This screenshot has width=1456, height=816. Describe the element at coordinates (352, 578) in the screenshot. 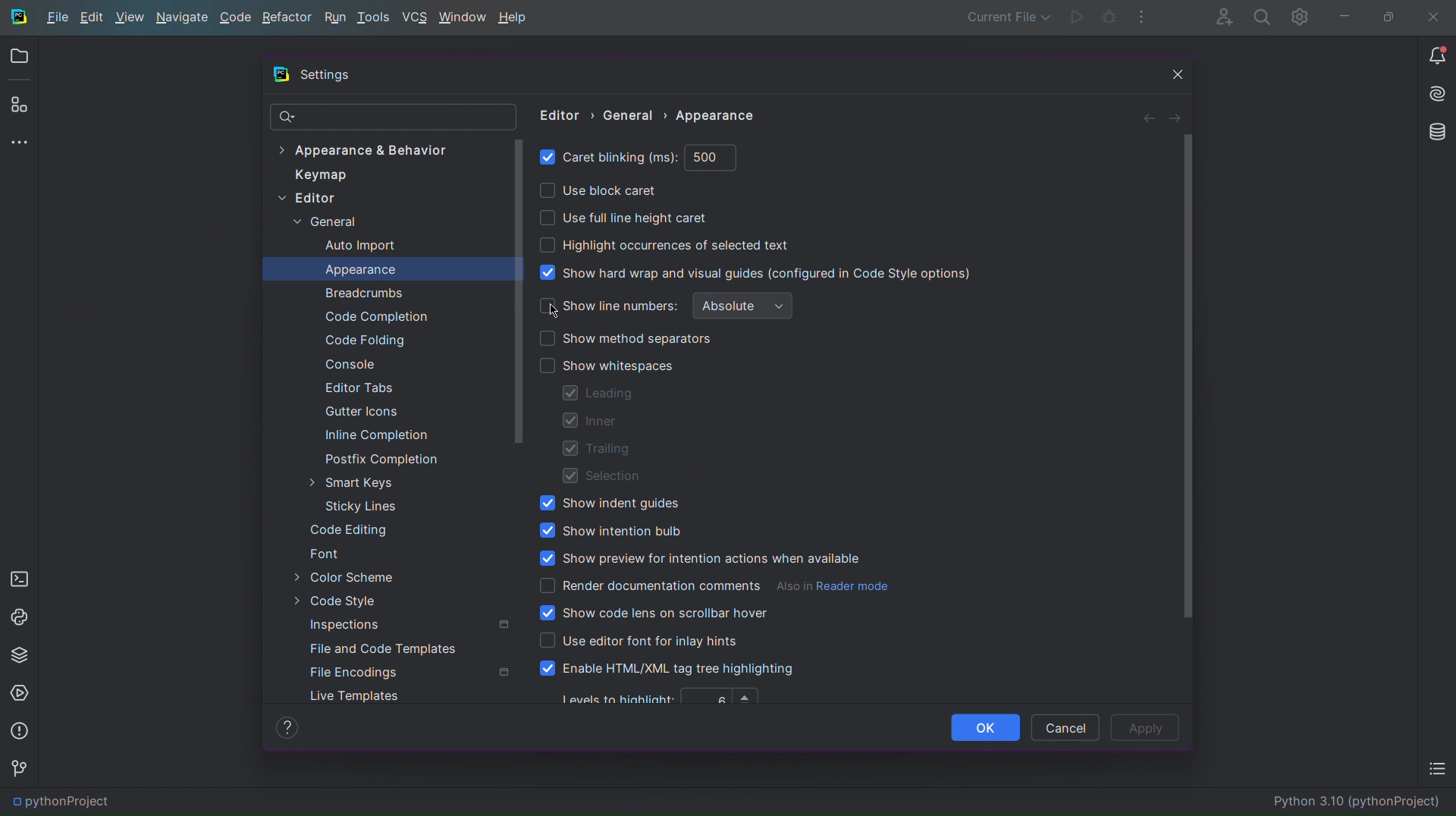

I see `Color Scheme` at that location.